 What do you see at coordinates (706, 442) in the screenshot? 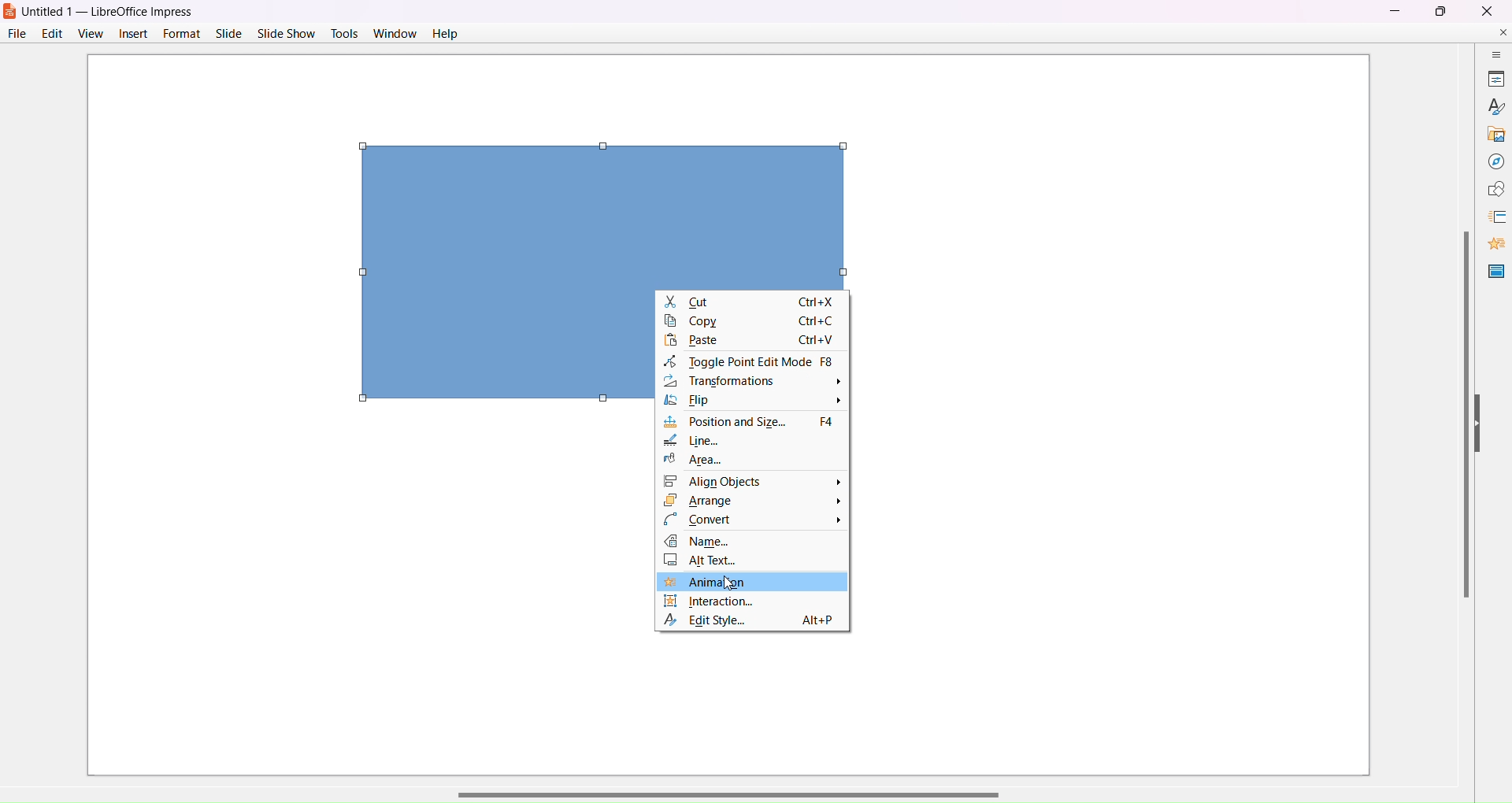
I see `Line` at bounding box center [706, 442].